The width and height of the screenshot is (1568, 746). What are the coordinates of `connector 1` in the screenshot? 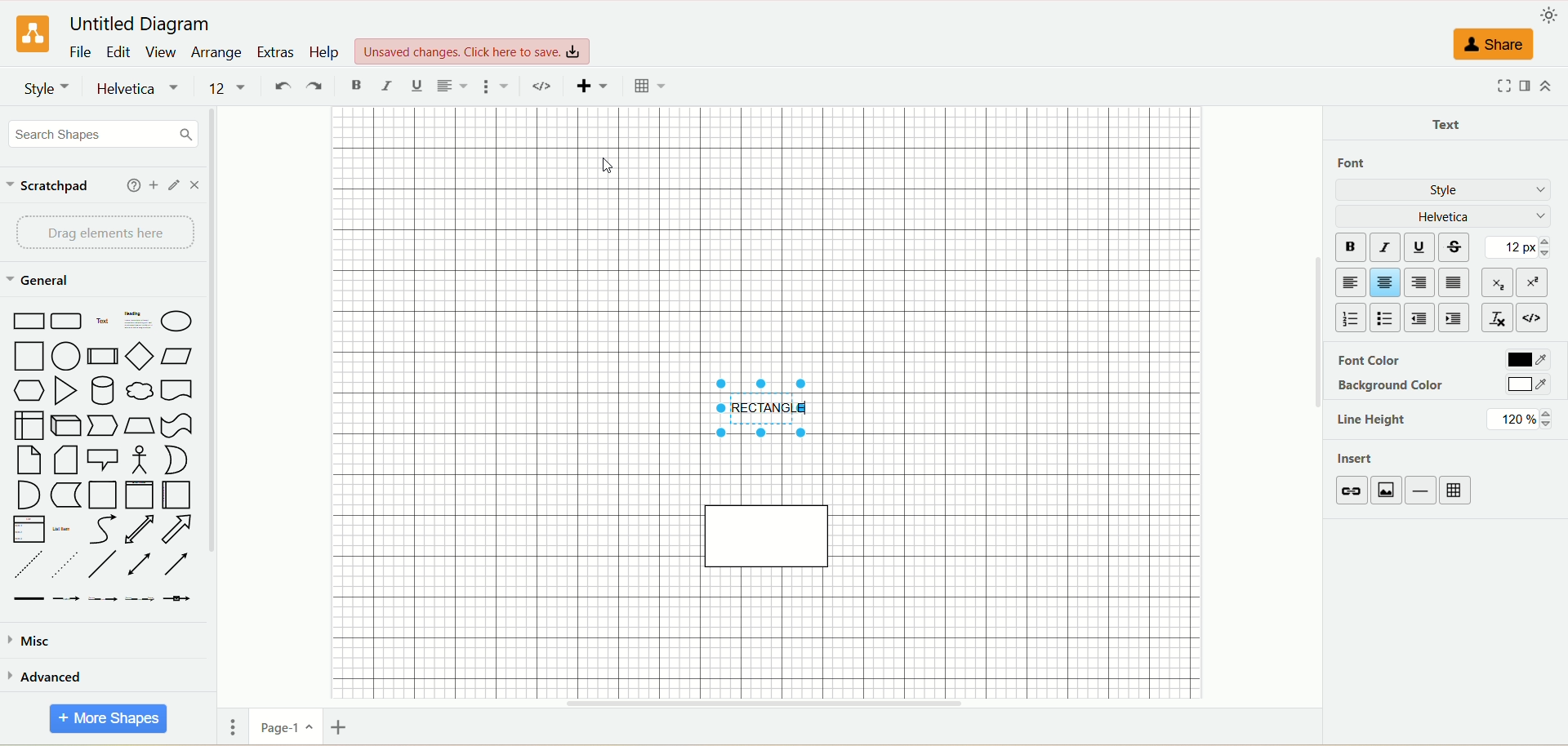 It's located at (27, 598).